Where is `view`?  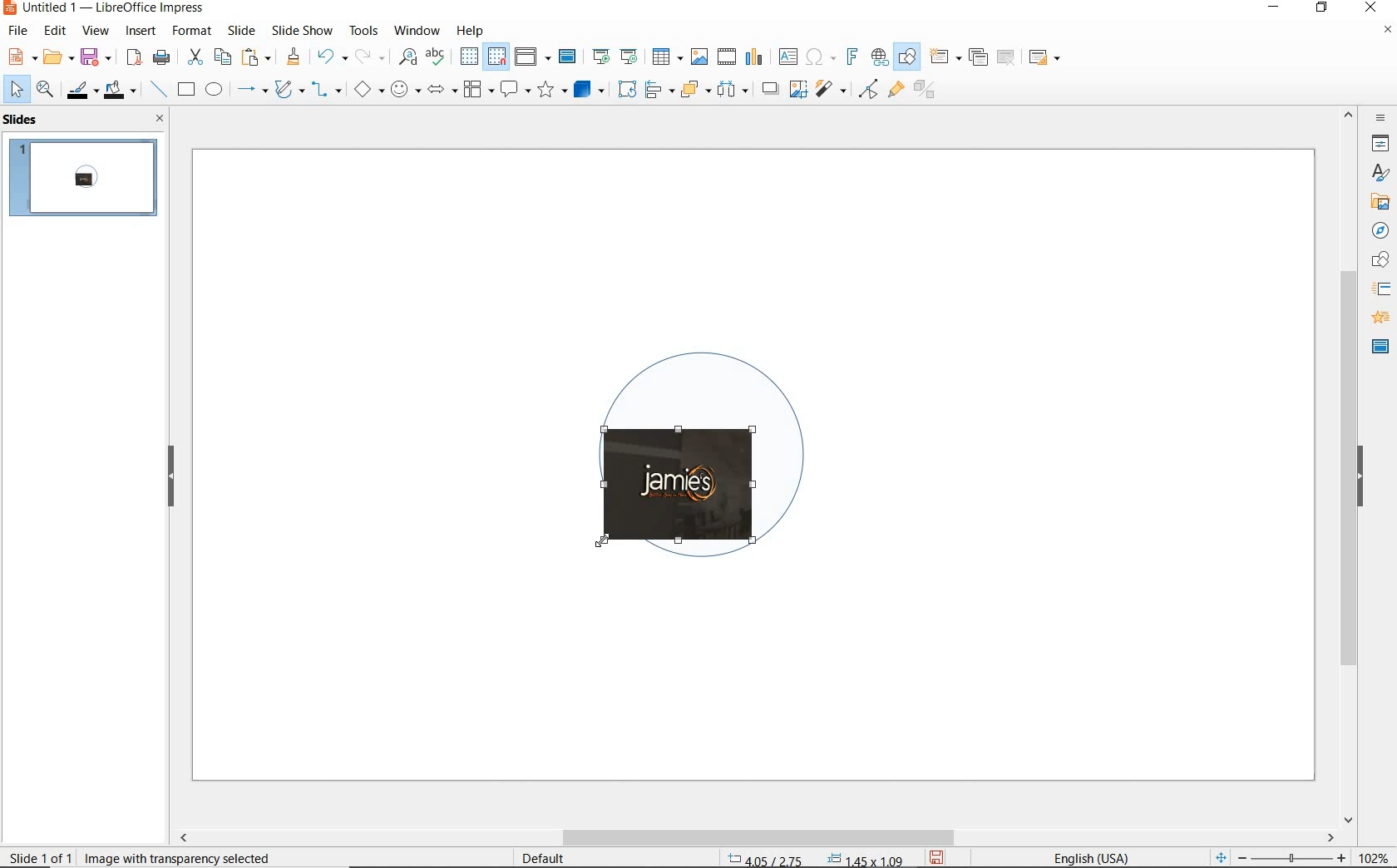 view is located at coordinates (96, 31).